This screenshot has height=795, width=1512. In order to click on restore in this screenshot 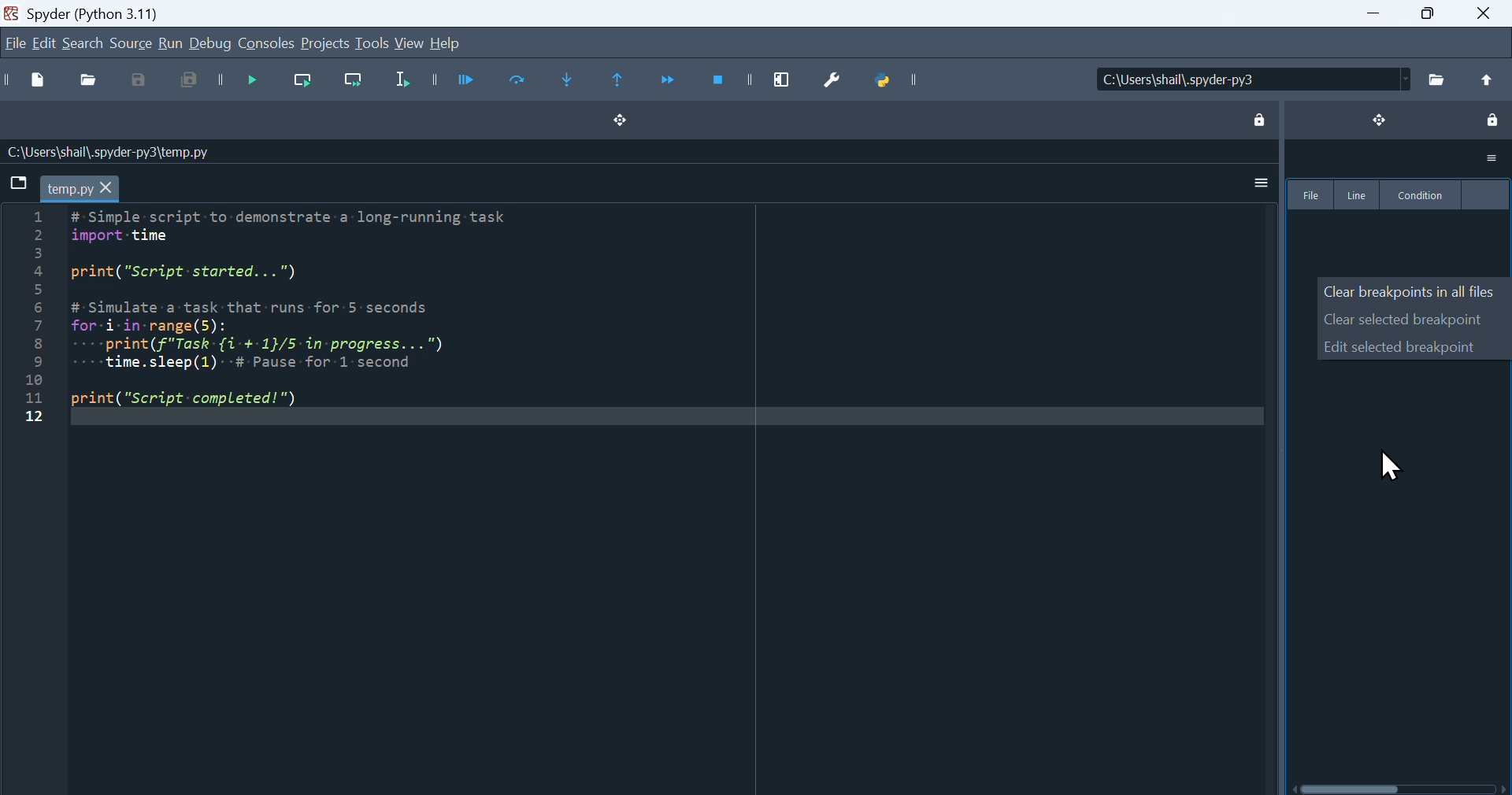, I will do `click(1429, 17)`.